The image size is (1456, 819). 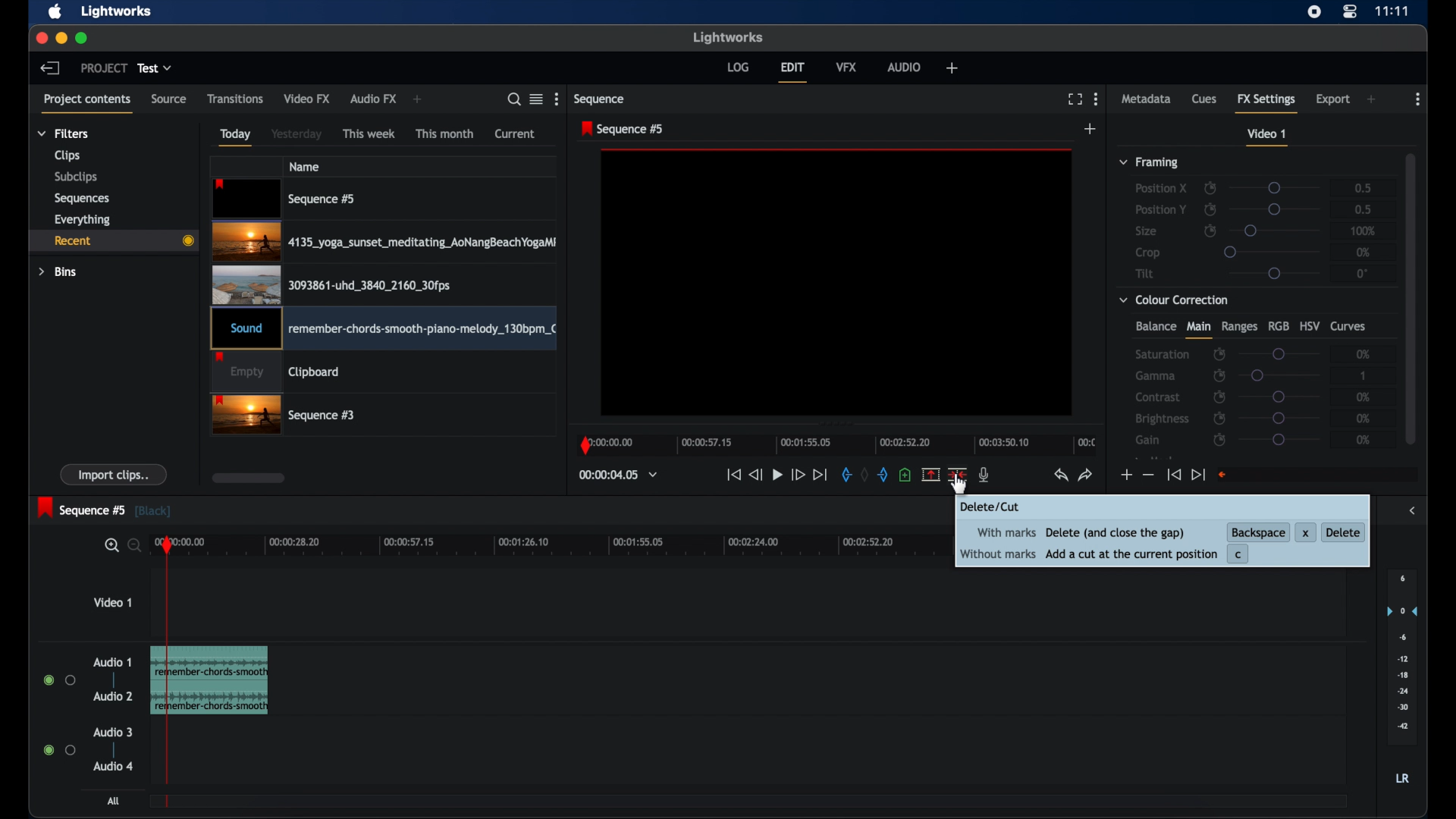 What do you see at coordinates (374, 99) in the screenshot?
I see `audio fx` at bounding box center [374, 99].